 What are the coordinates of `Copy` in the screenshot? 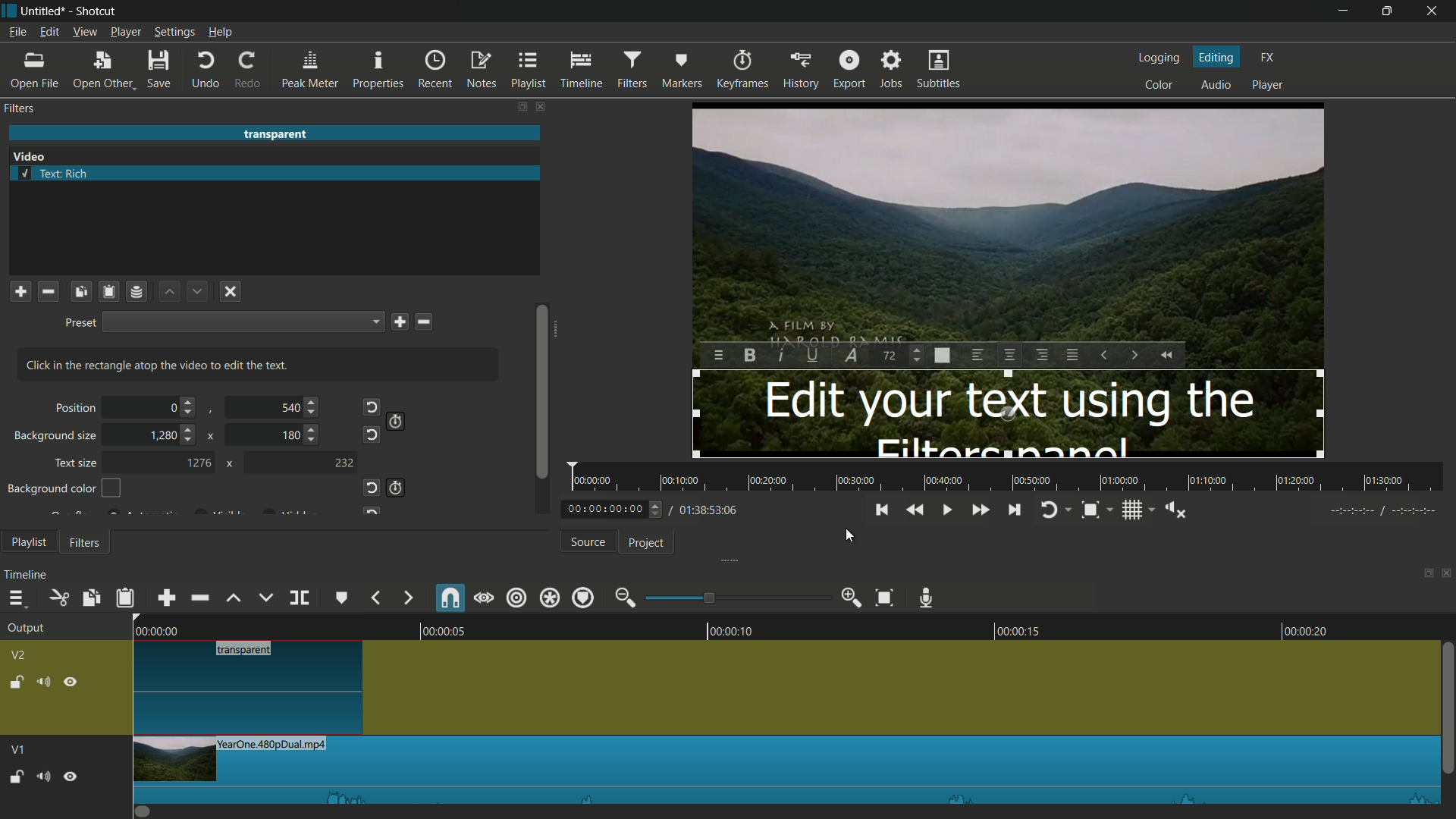 It's located at (80, 293).